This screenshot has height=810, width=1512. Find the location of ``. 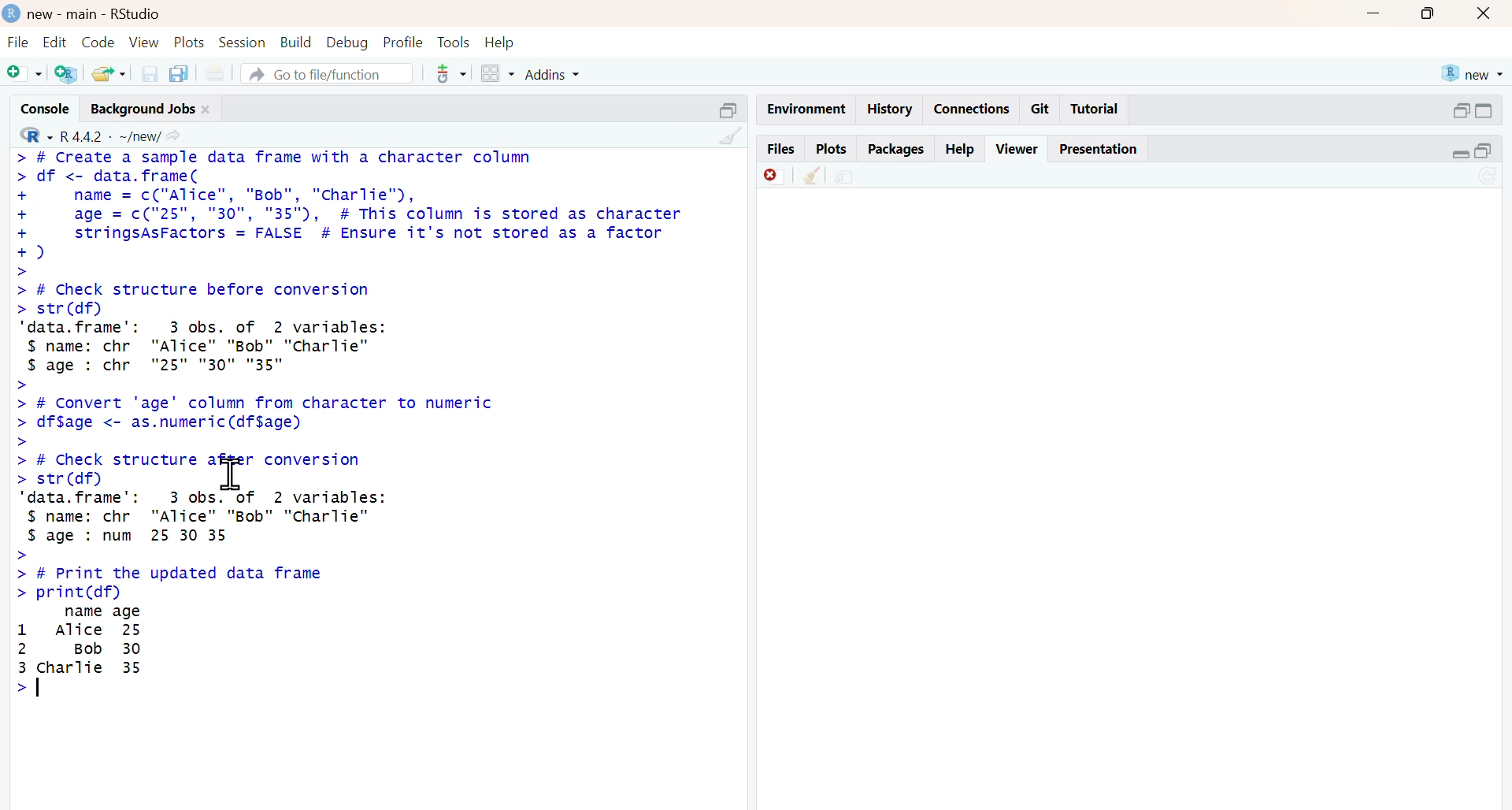

 is located at coordinates (730, 111).